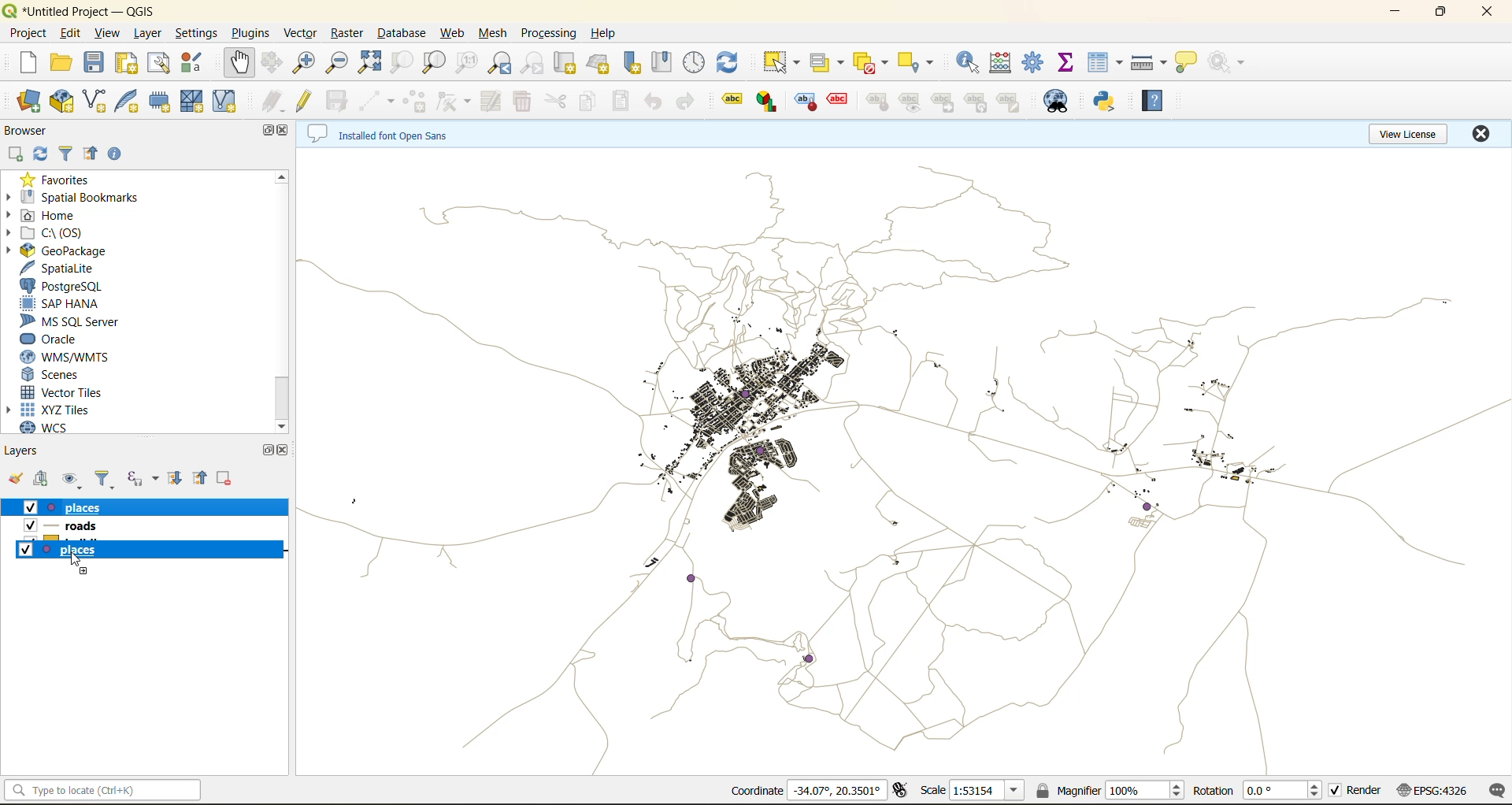 This screenshot has width=1512, height=805. I want to click on help, so click(607, 33).